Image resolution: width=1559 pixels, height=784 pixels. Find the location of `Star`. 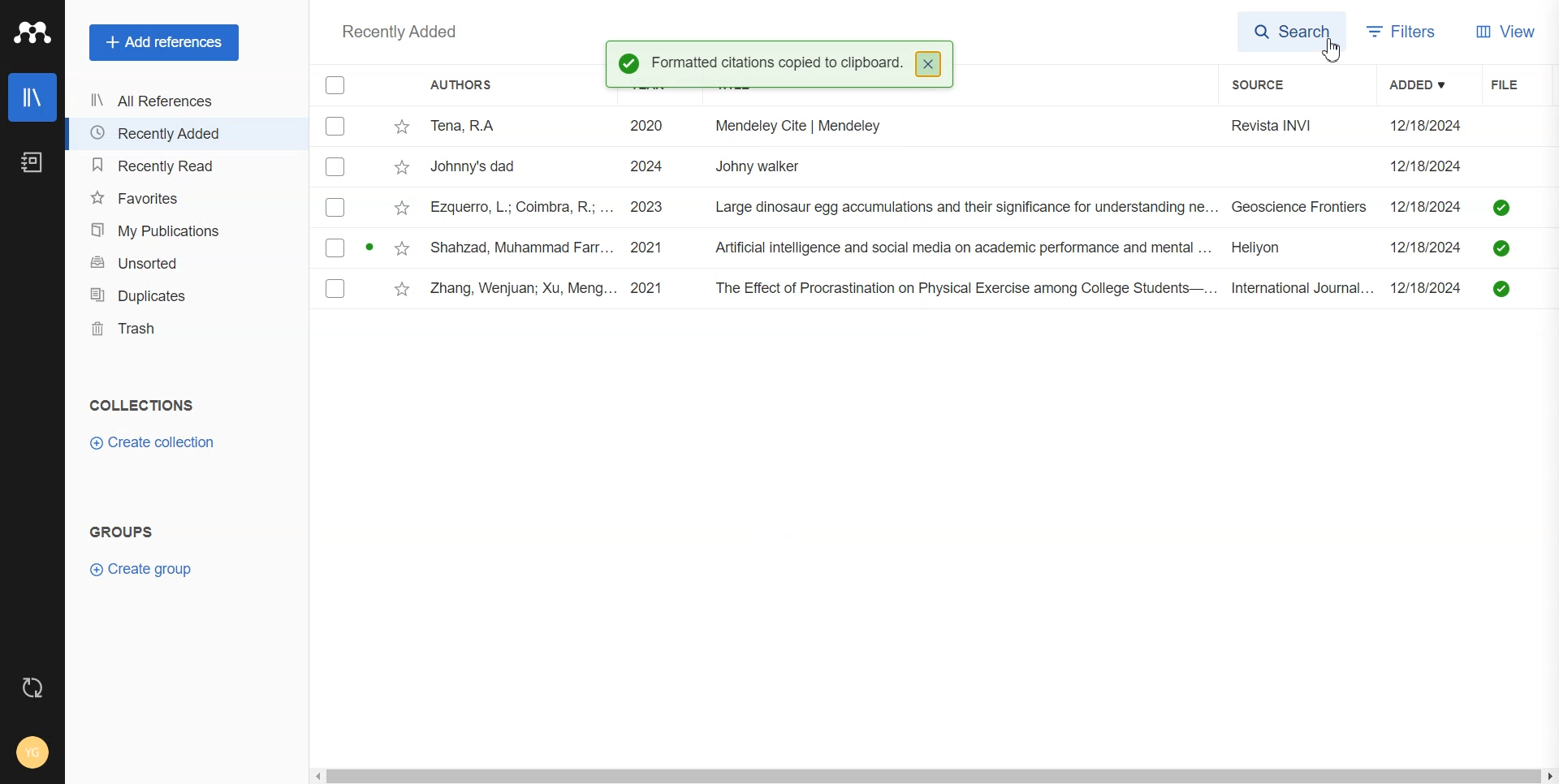

Star is located at coordinates (401, 247).